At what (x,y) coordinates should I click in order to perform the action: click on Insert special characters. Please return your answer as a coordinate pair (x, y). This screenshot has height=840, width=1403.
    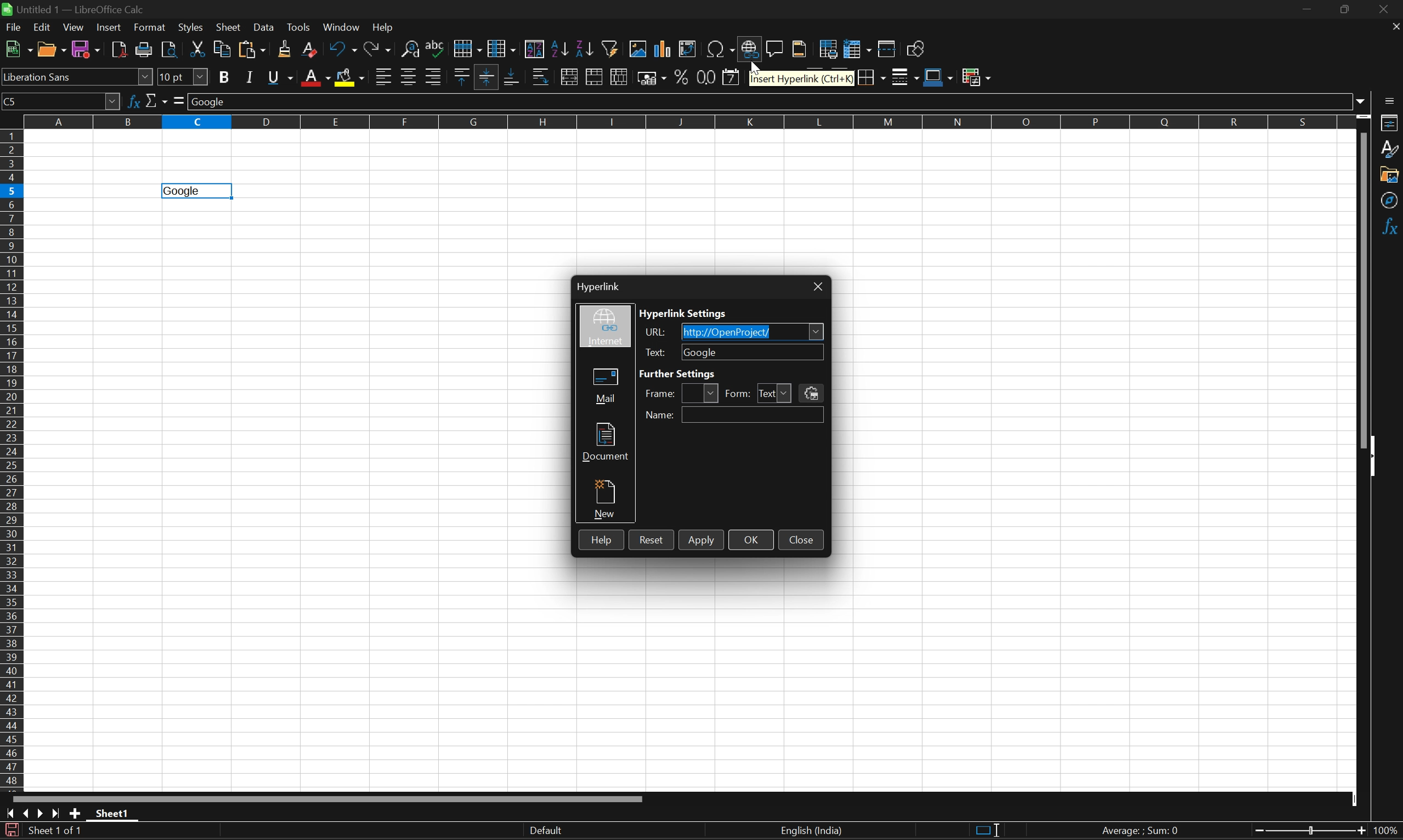
    Looking at the image, I should click on (720, 50).